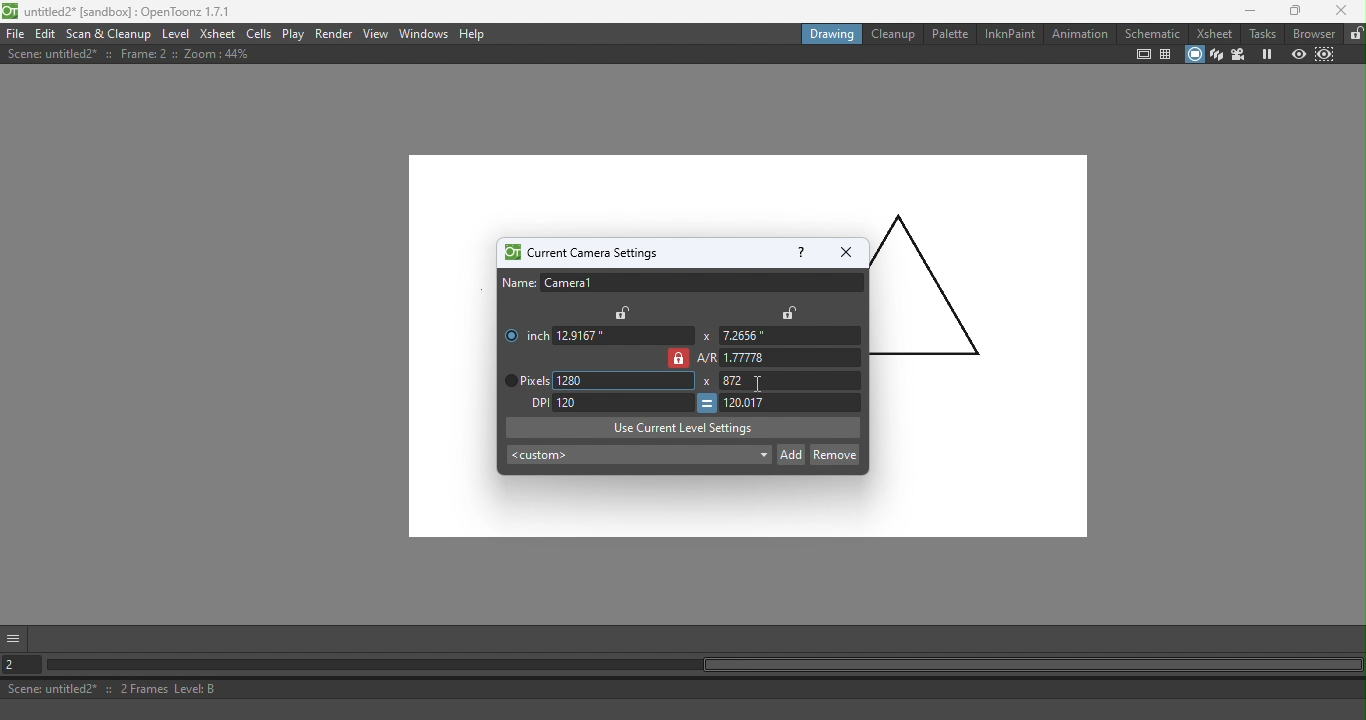 This screenshot has width=1366, height=720. I want to click on Cells, so click(258, 33).